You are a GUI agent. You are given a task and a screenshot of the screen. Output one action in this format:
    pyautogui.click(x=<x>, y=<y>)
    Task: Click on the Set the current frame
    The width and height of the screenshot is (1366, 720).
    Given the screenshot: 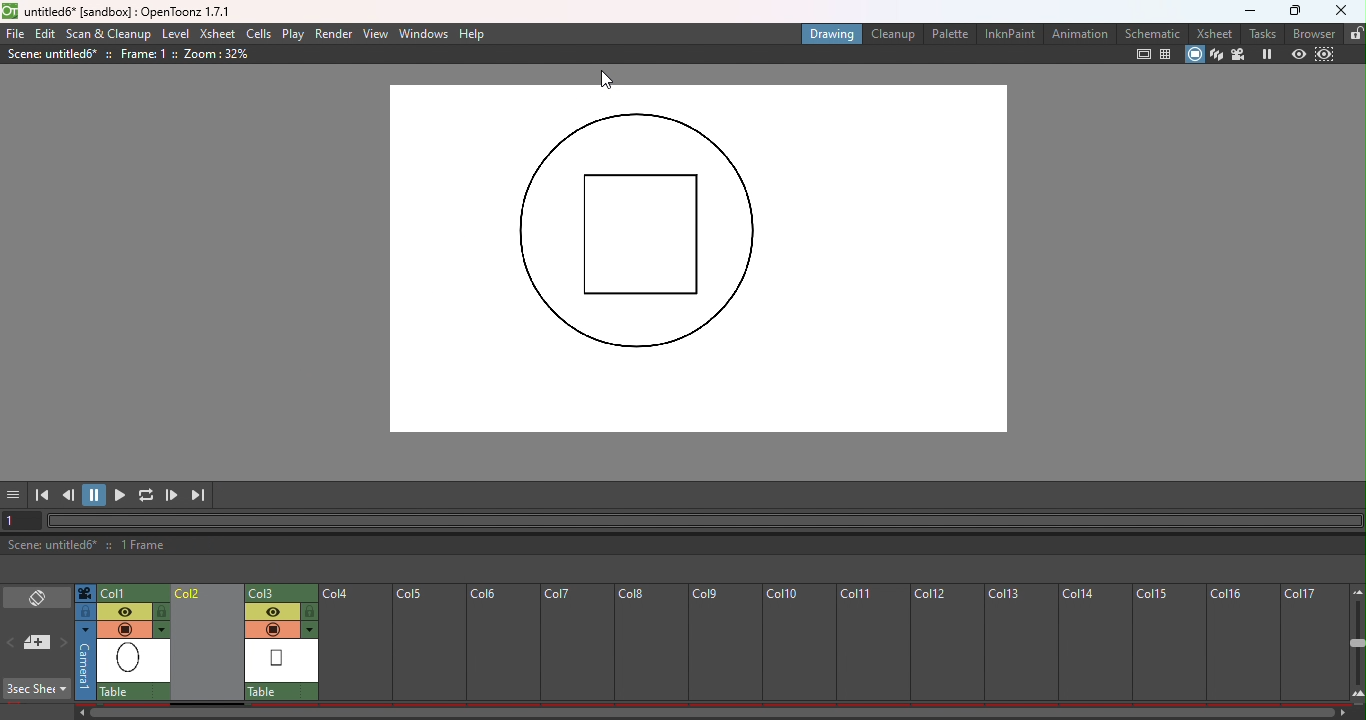 What is the action you would take?
    pyautogui.click(x=23, y=520)
    